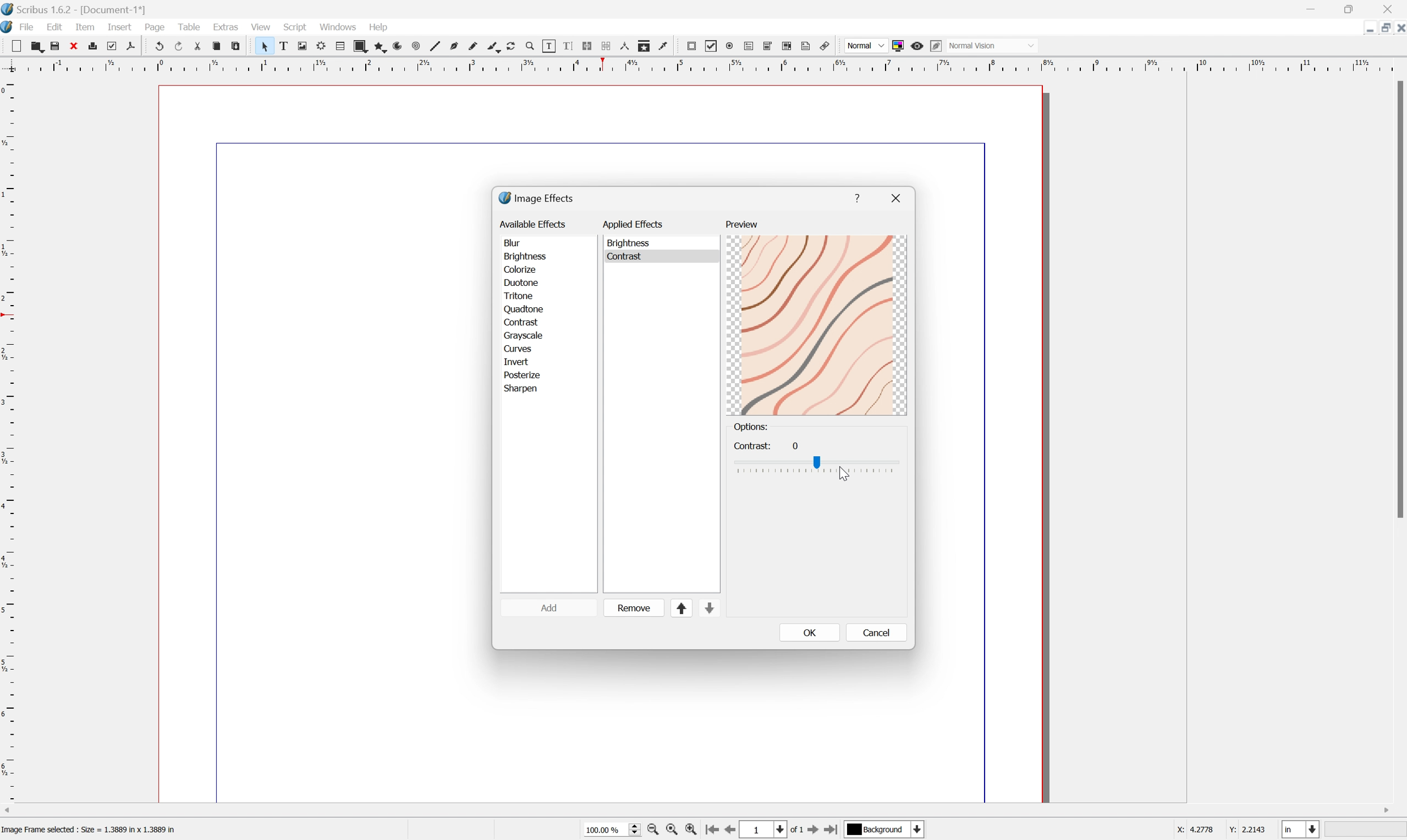  What do you see at coordinates (119, 27) in the screenshot?
I see `Insert` at bounding box center [119, 27].